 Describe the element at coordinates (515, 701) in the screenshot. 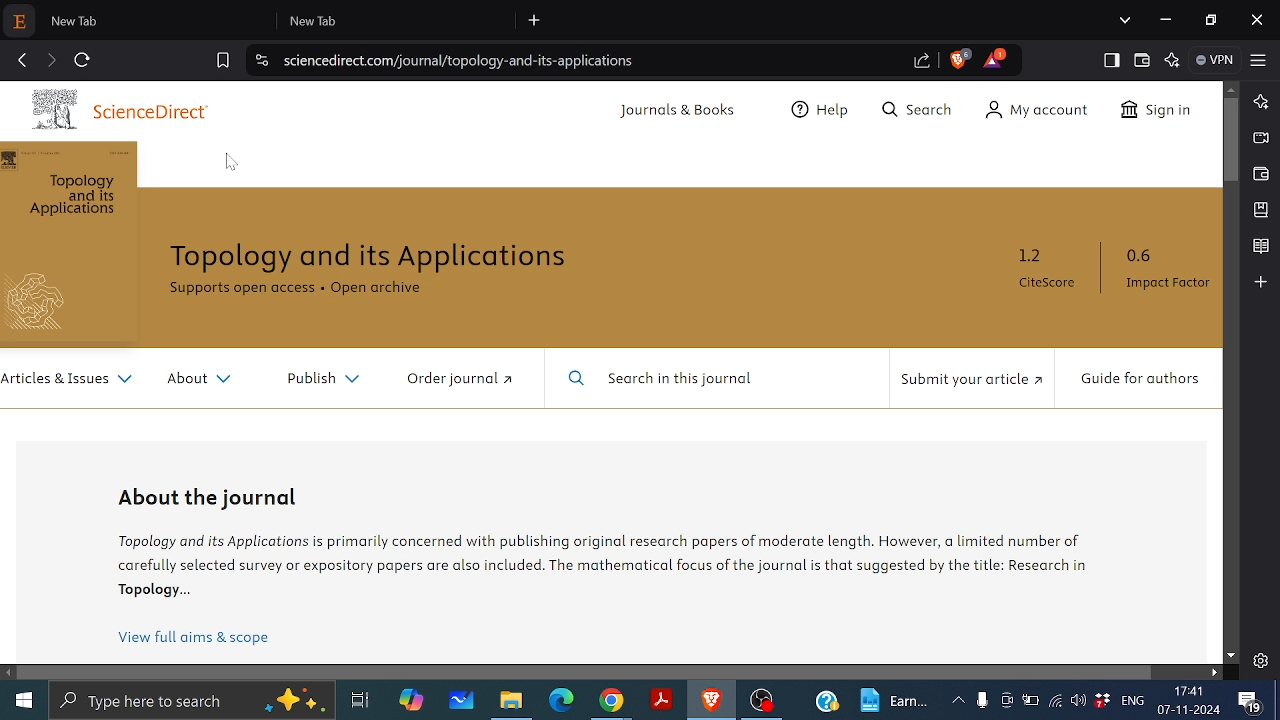

I see `Files` at that location.